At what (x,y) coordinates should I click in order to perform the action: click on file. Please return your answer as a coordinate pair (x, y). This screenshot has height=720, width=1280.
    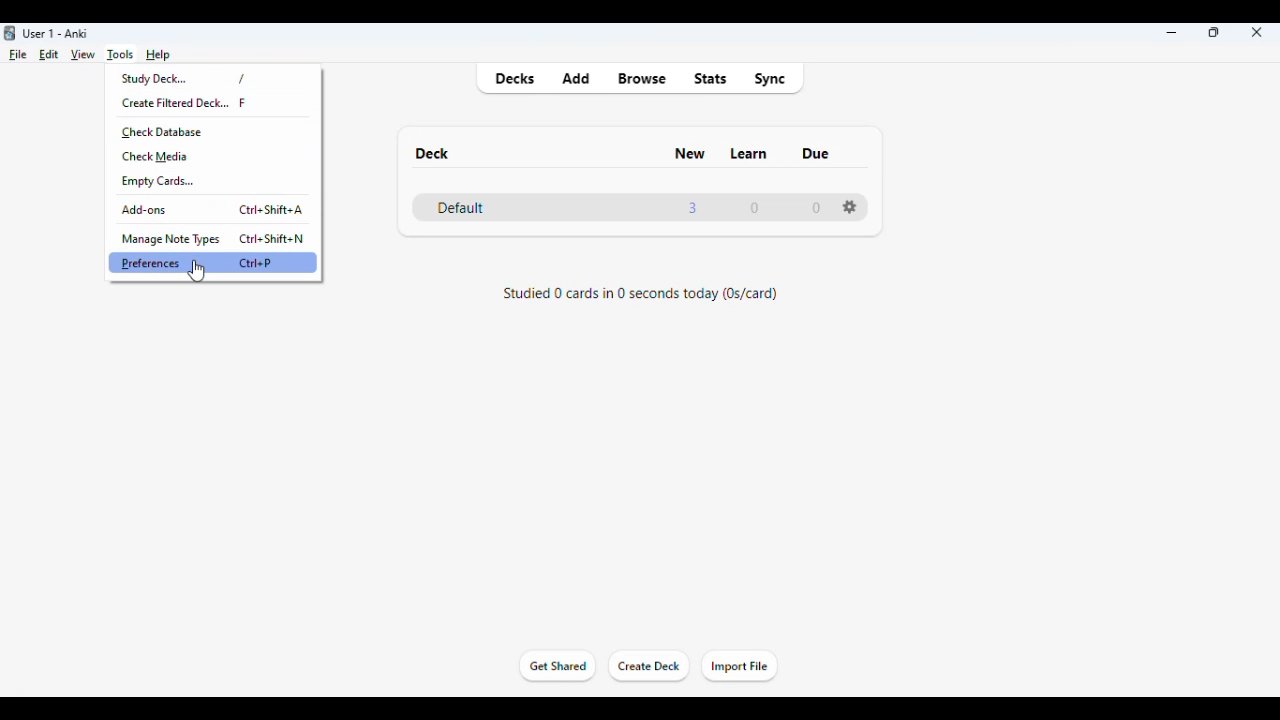
    Looking at the image, I should click on (18, 55).